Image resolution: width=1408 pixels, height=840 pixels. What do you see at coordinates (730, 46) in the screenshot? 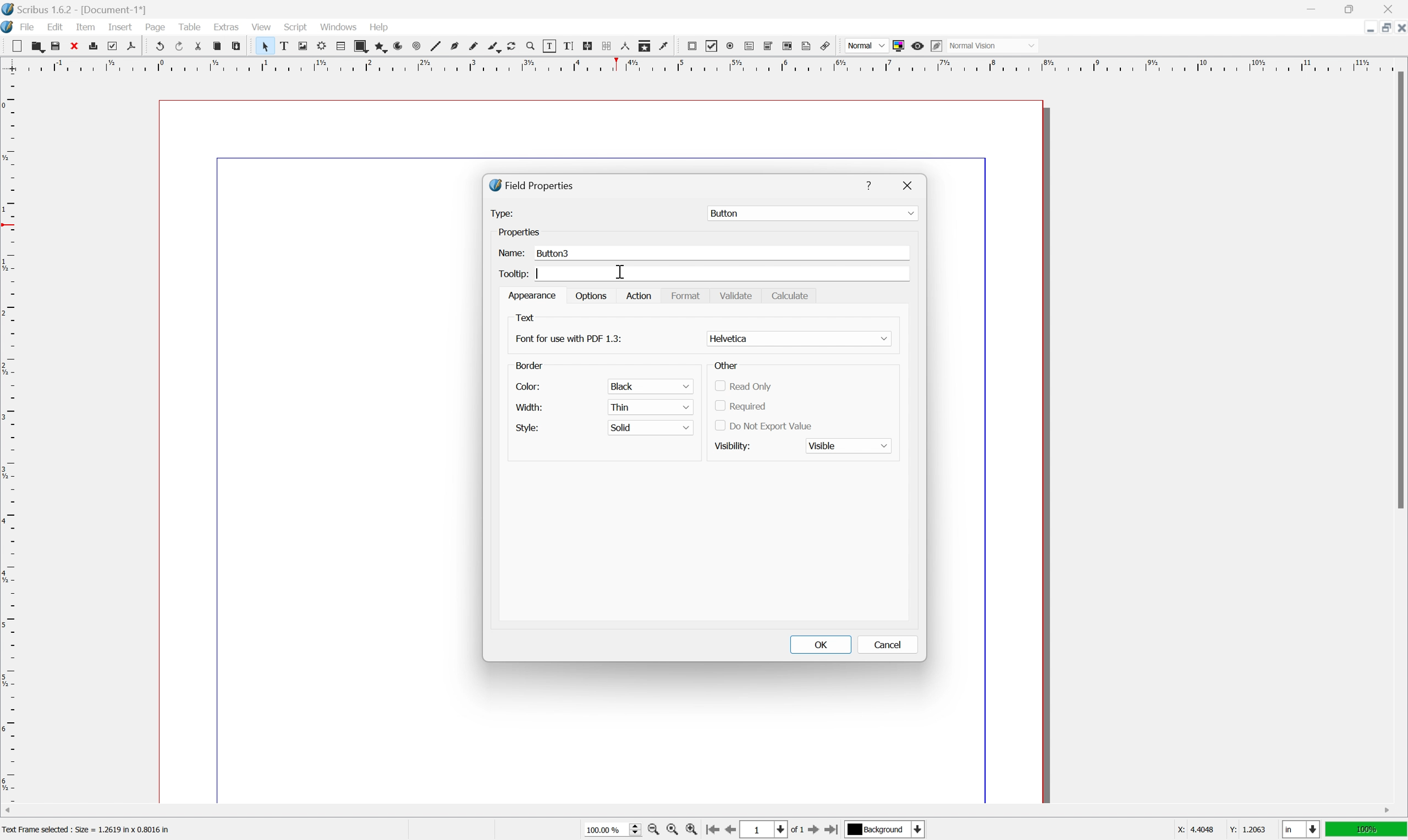
I see `pdf radio button` at bounding box center [730, 46].